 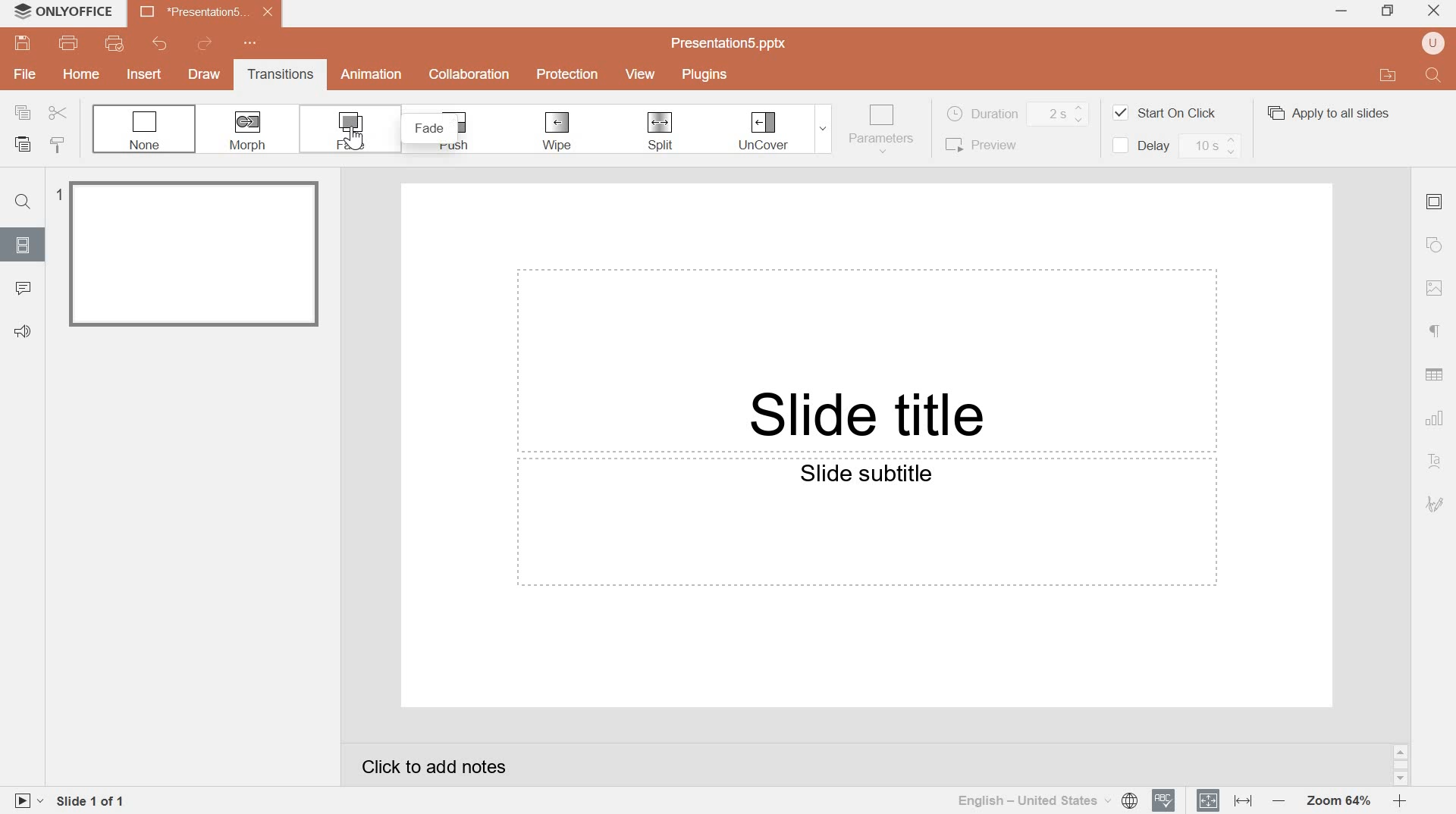 I want to click on Wipe, so click(x=556, y=130).